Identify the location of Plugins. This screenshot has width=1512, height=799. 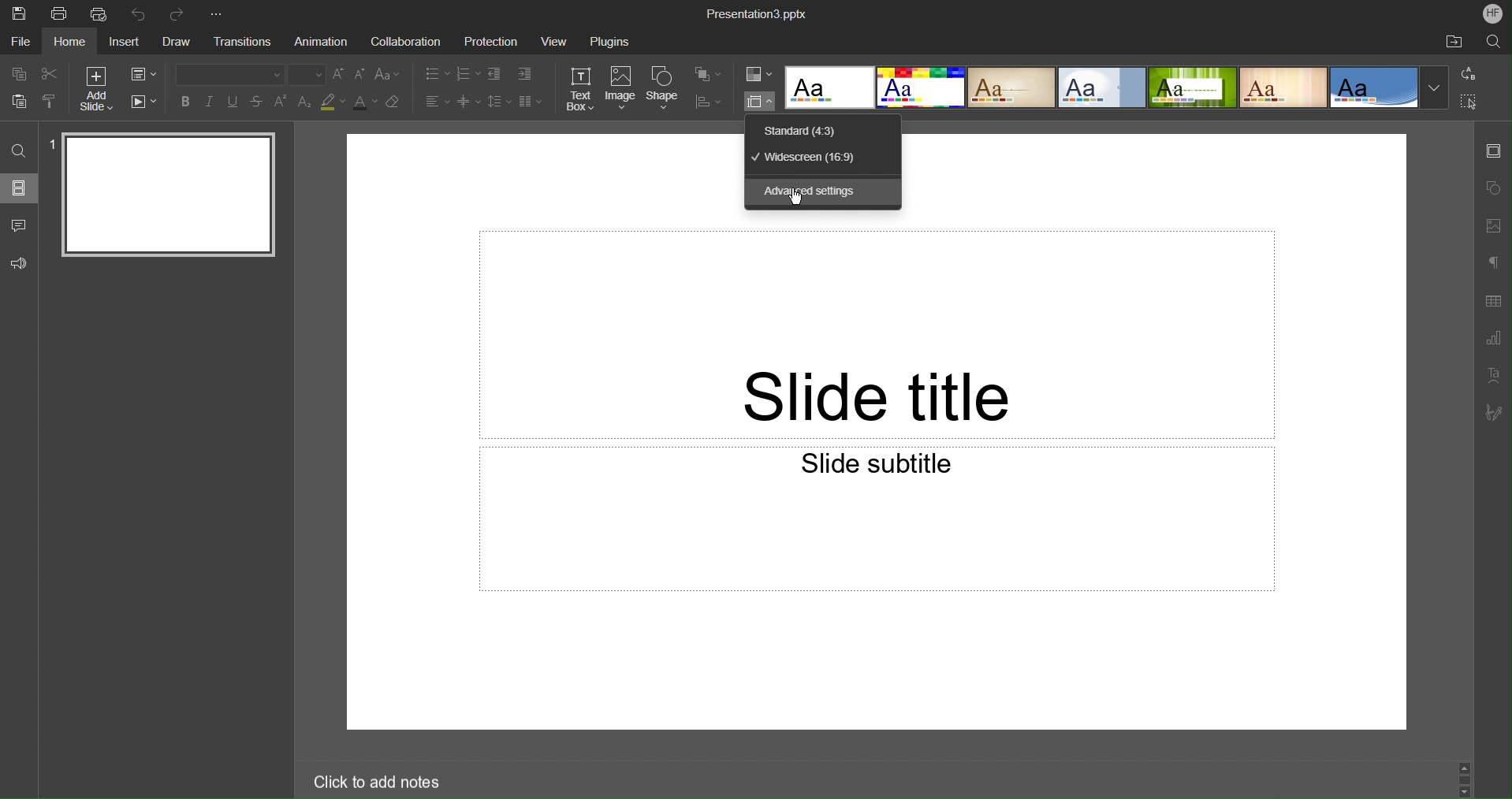
(609, 43).